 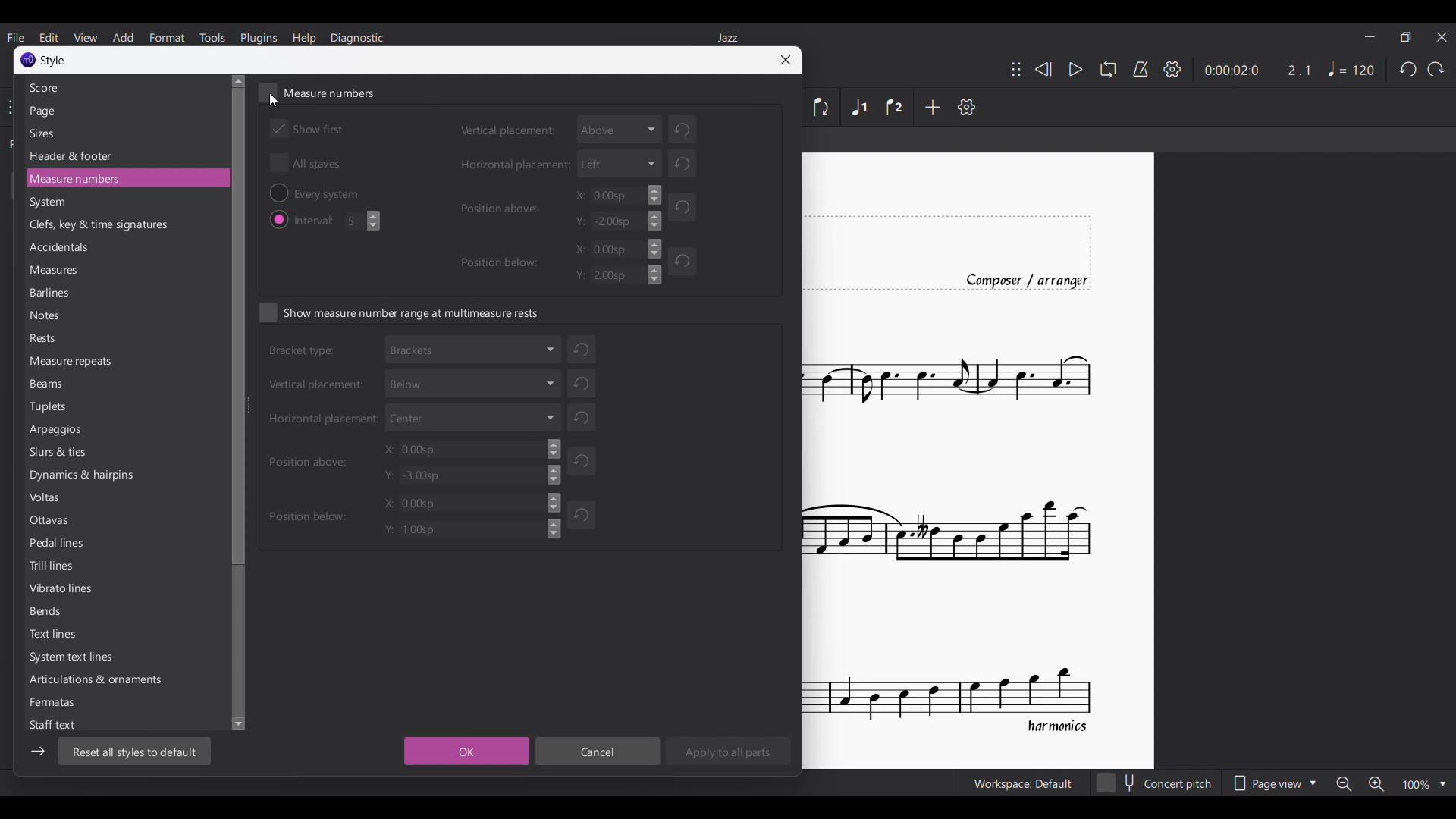 What do you see at coordinates (1043, 69) in the screenshot?
I see `Rewind` at bounding box center [1043, 69].